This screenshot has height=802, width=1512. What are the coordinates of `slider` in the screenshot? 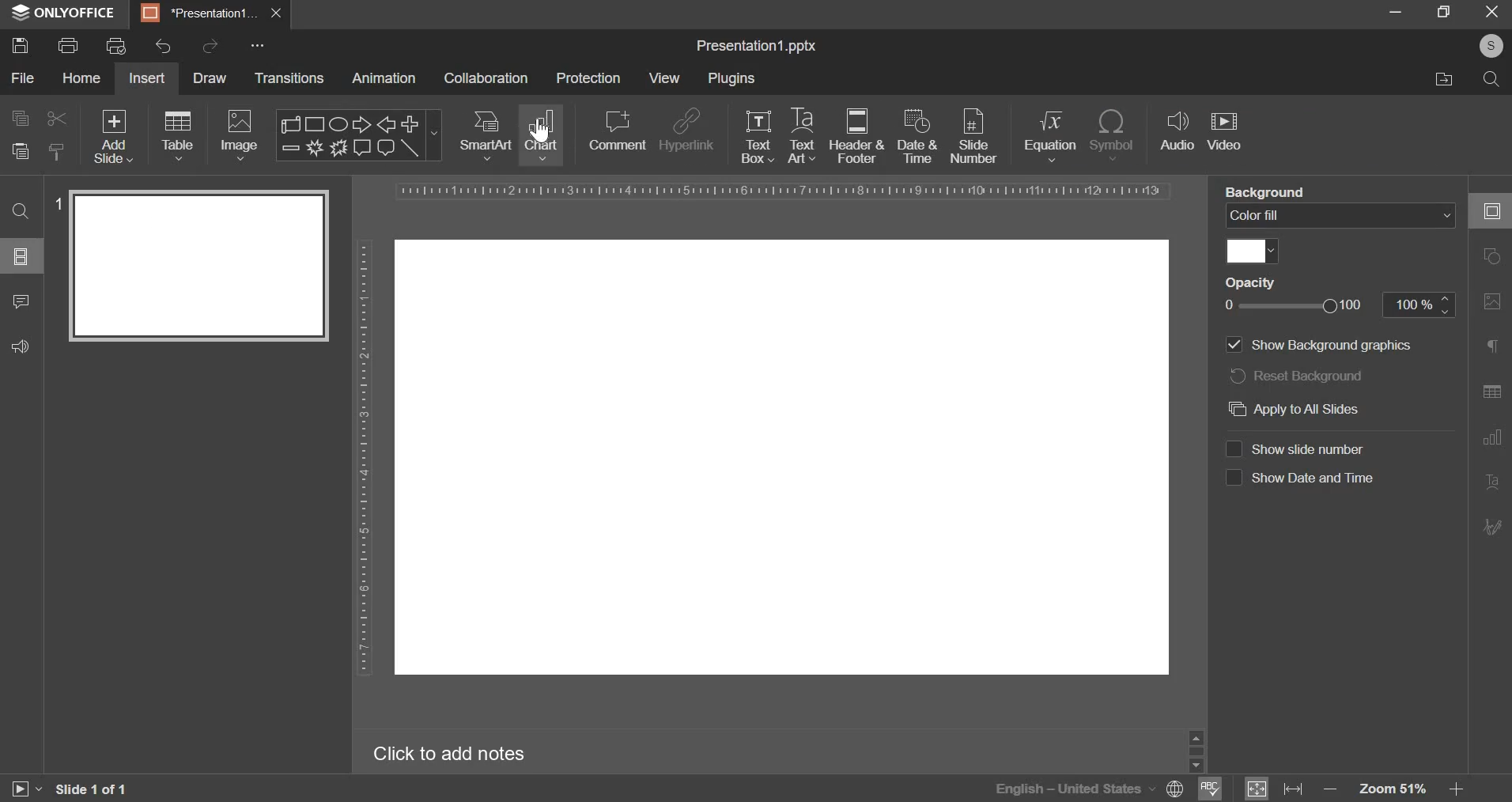 It's located at (1196, 751).